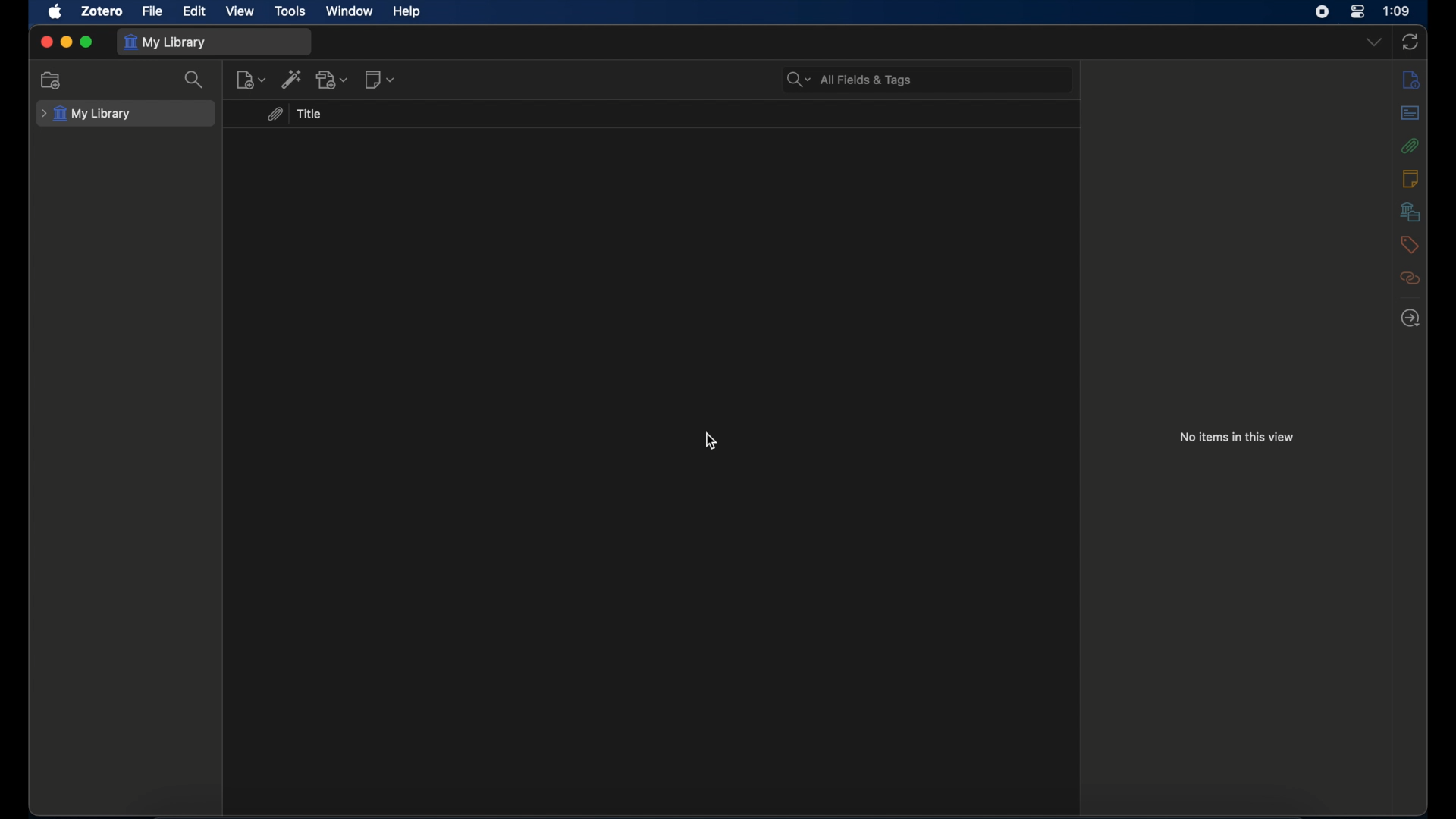  I want to click on time, so click(1398, 10).